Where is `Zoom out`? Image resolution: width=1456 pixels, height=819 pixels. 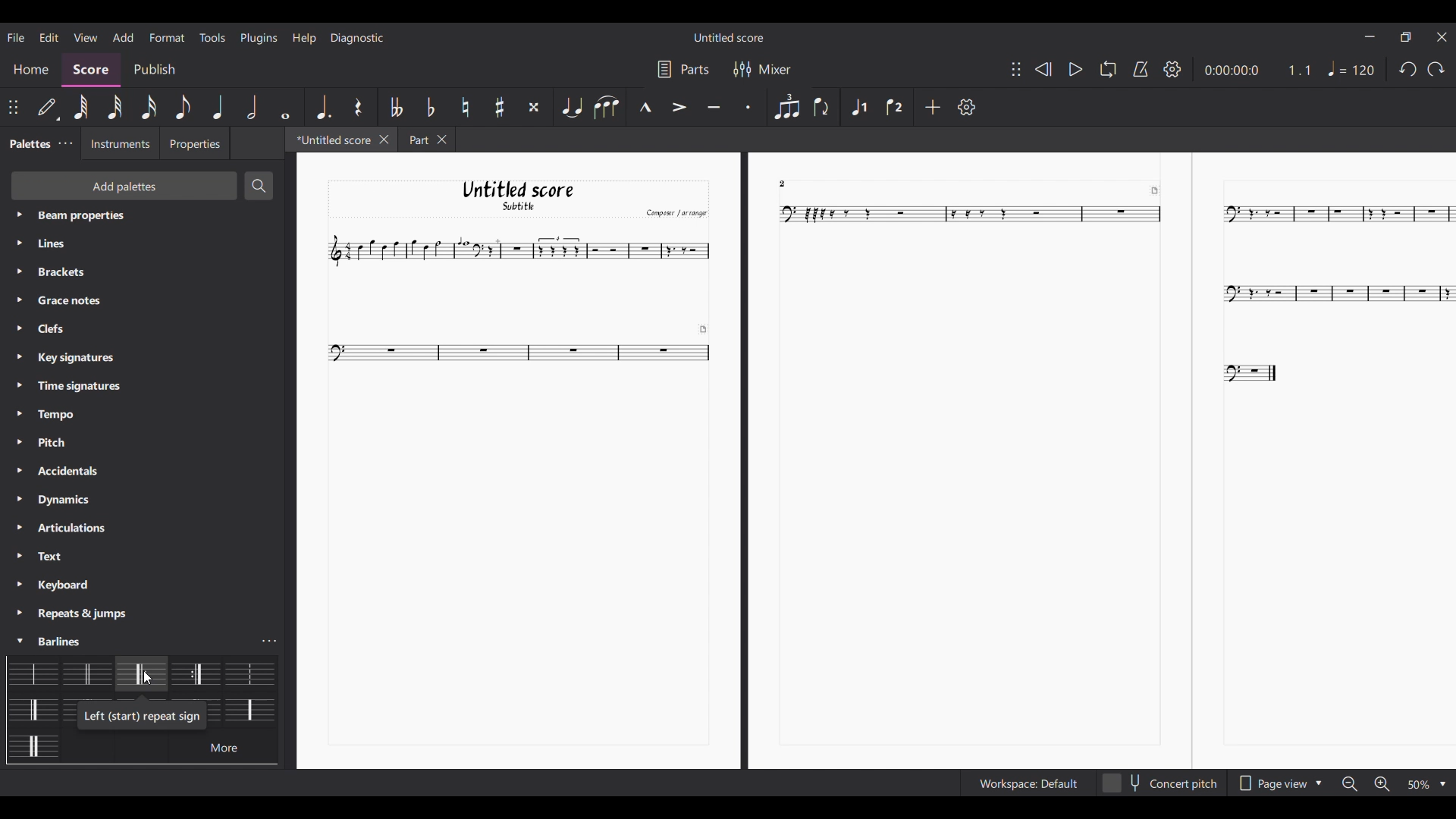 Zoom out is located at coordinates (1349, 784).